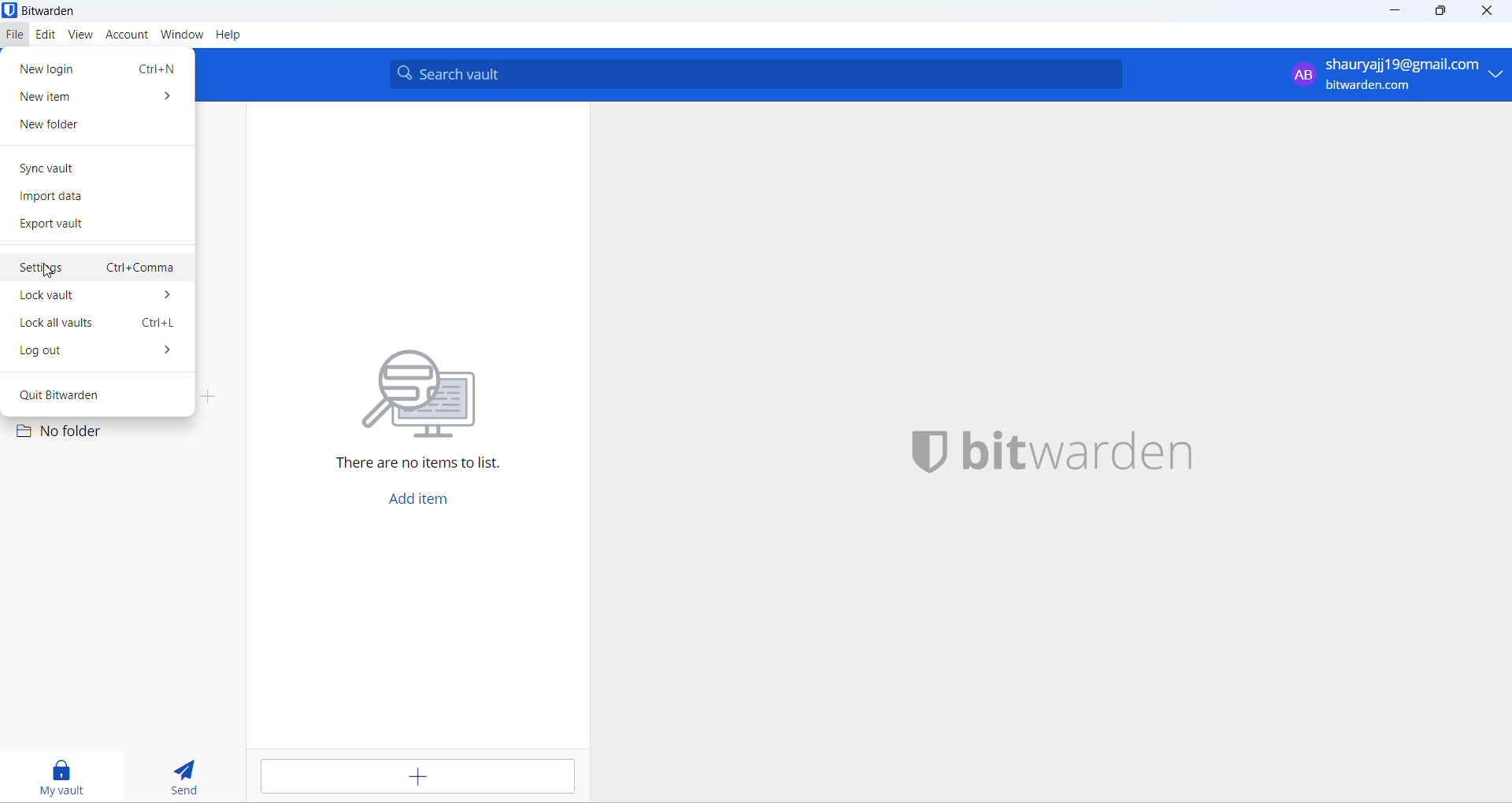  What do you see at coordinates (92, 352) in the screenshot?
I see `log out` at bounding box center [92, 352].